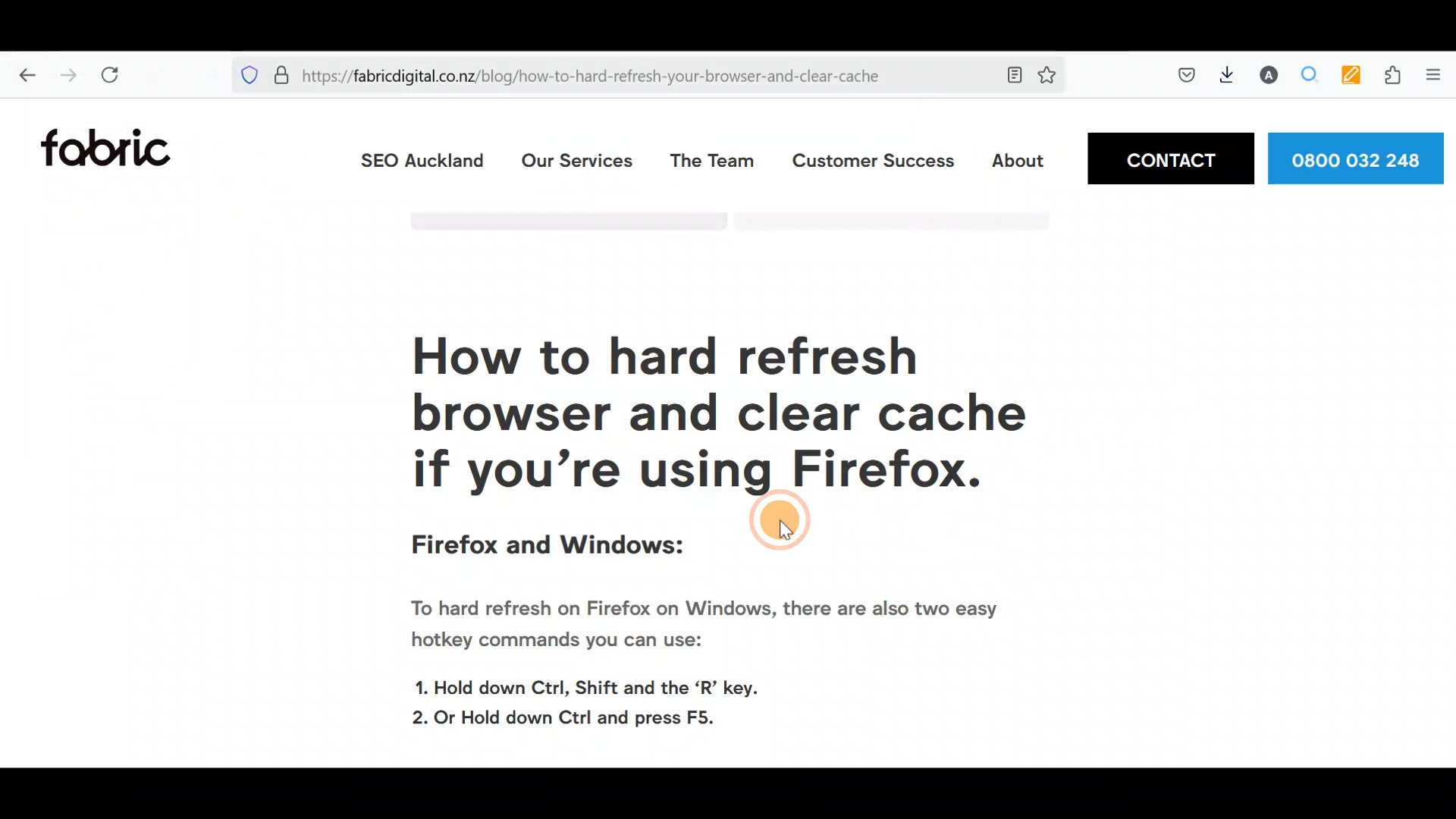  I want to click on 2. Or Hold down Ctrl and press F5., so click(573, 717).